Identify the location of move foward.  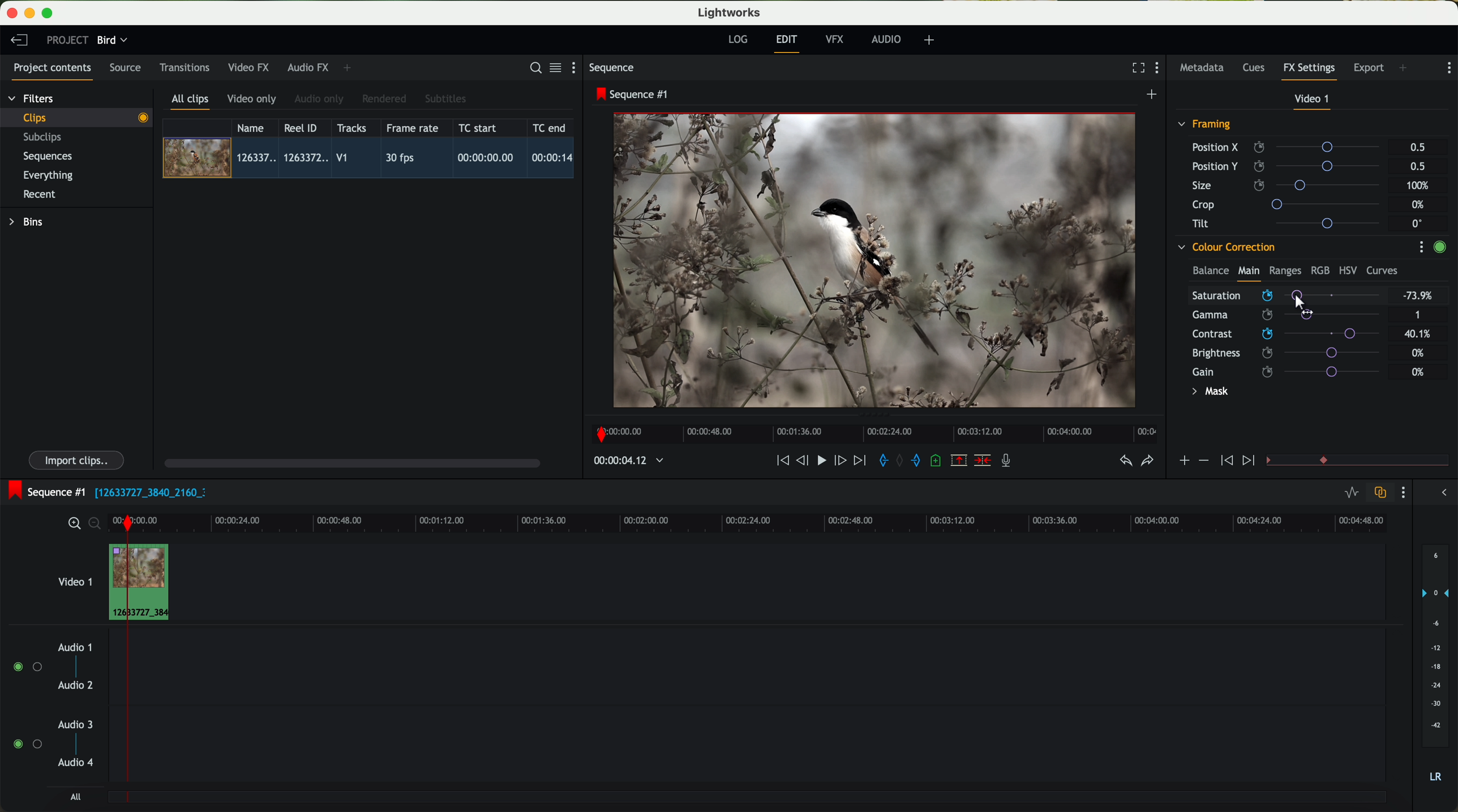
(859, 461).